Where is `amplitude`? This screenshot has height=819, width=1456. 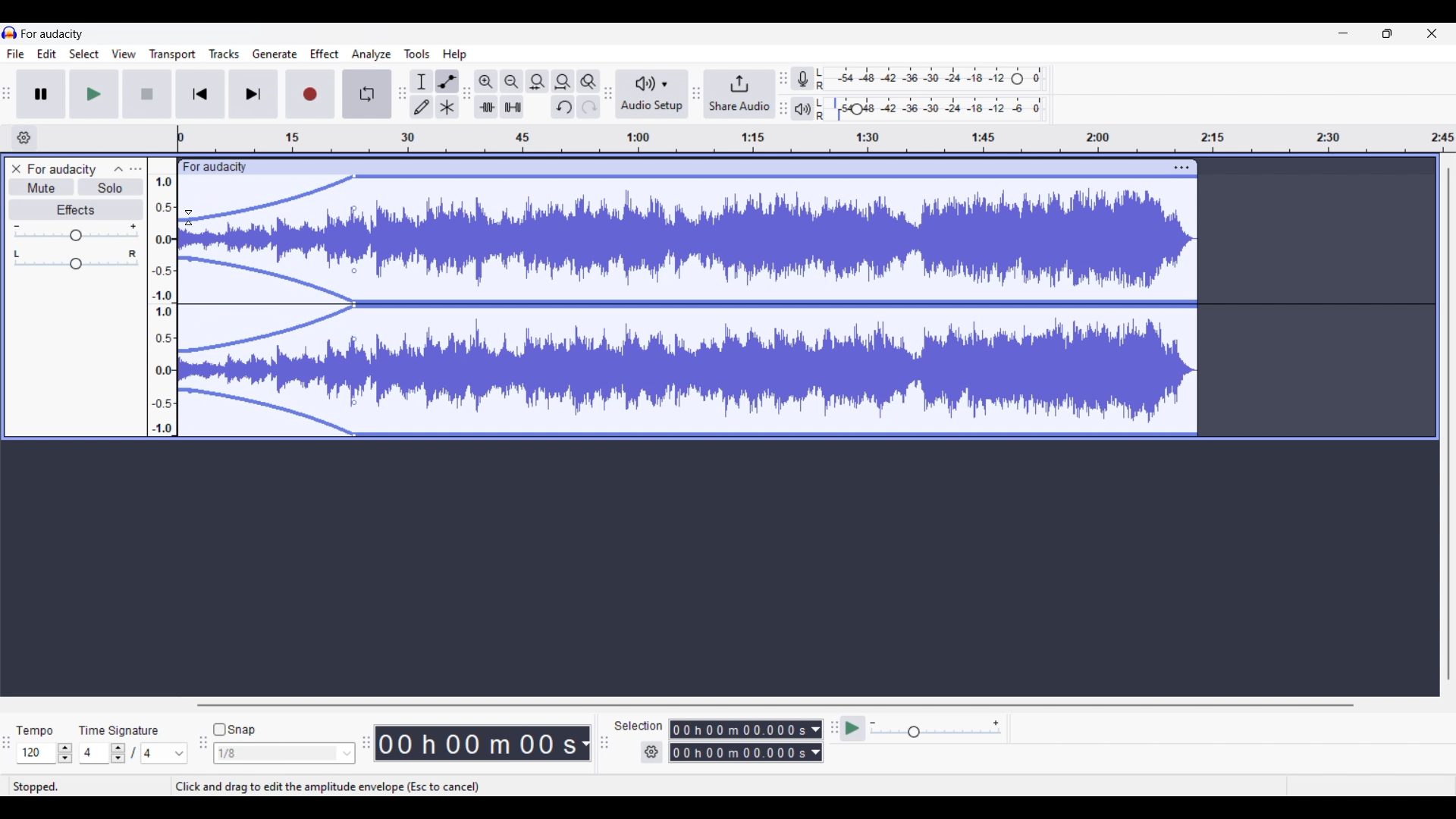 amplitude is located at coordinates (163, 305).